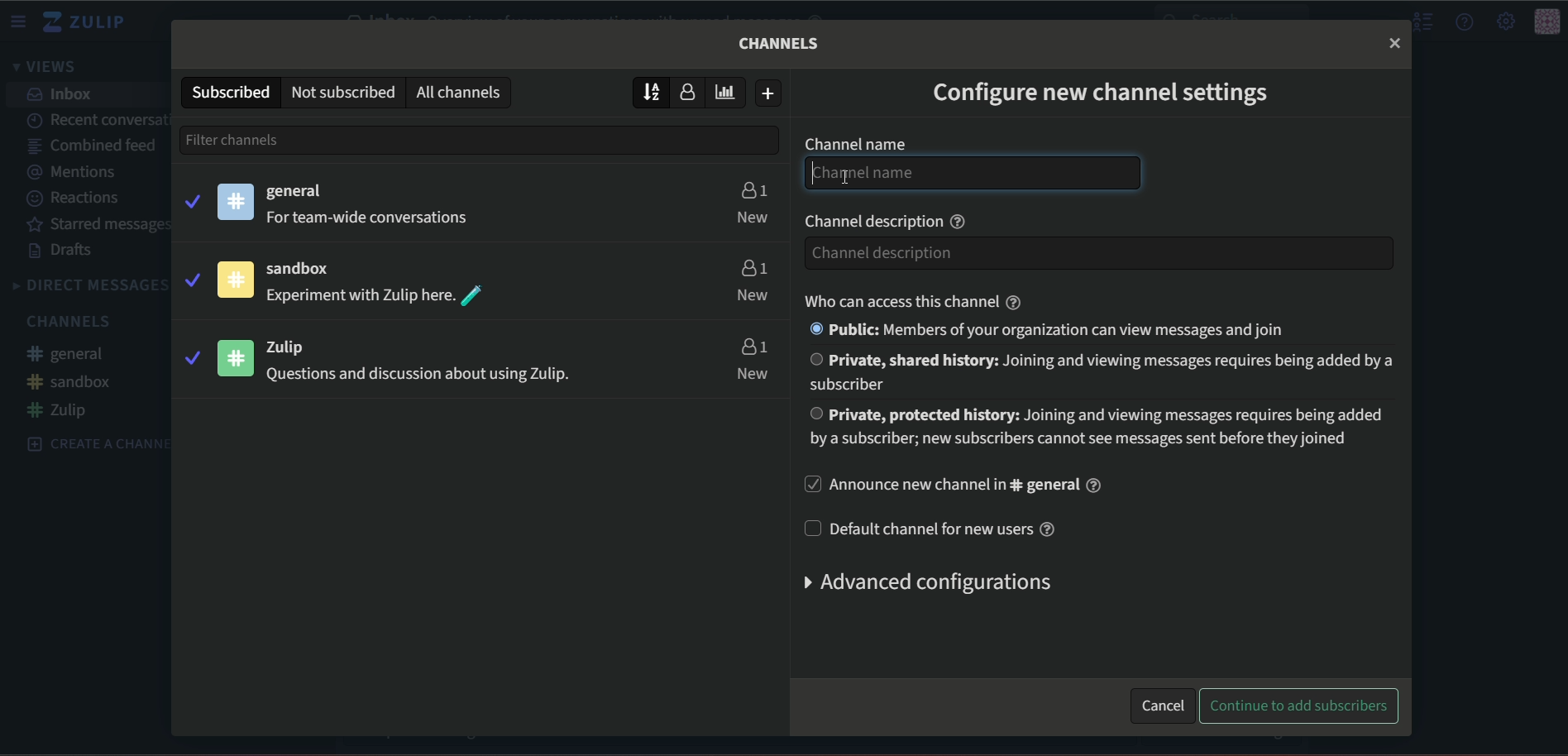  Describe the element at coordinates (1504, 21) in the screenshot. I see `main menu` at that location.